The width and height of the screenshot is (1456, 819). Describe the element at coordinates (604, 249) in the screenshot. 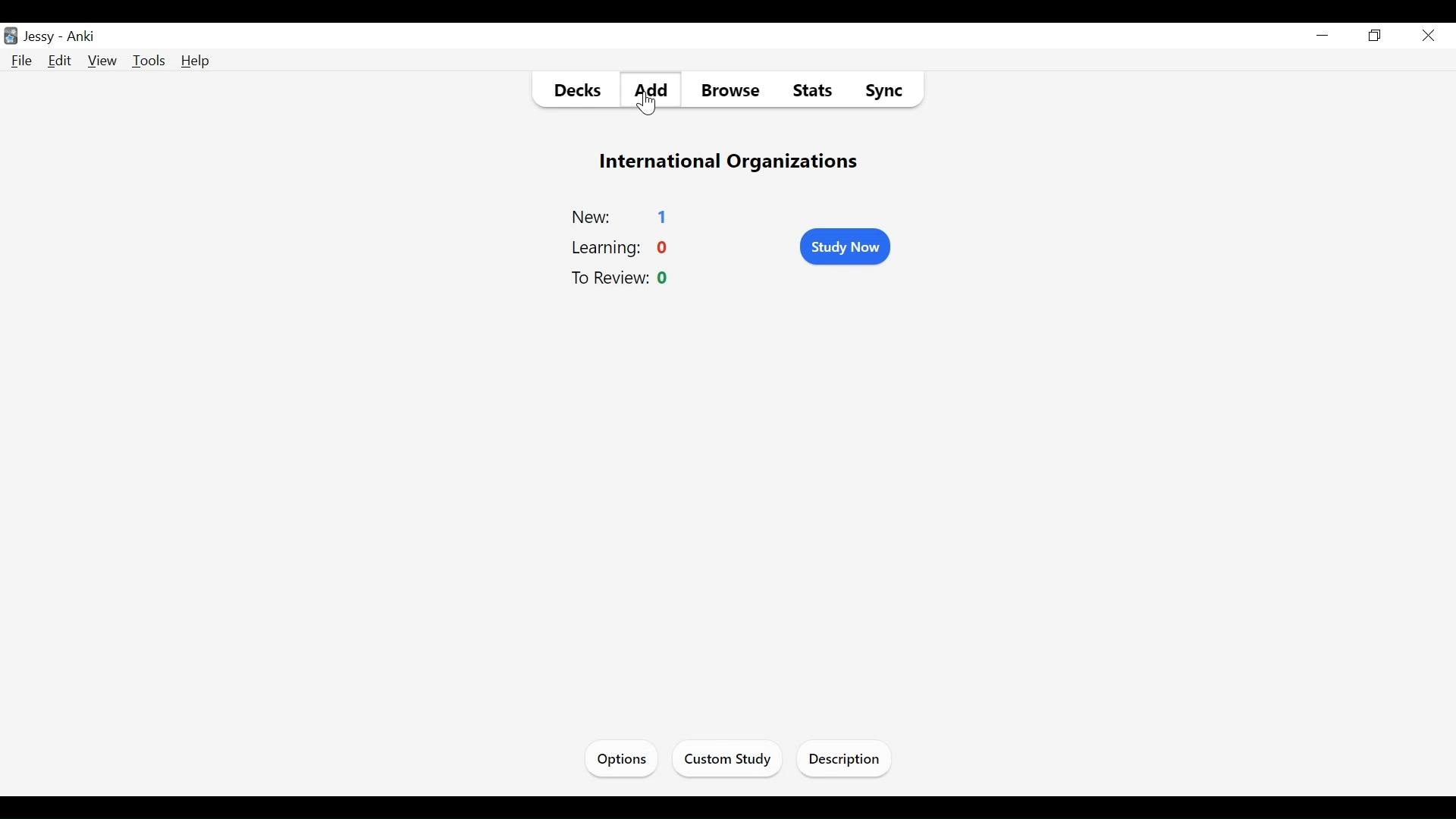

I see `Learning` at that location.